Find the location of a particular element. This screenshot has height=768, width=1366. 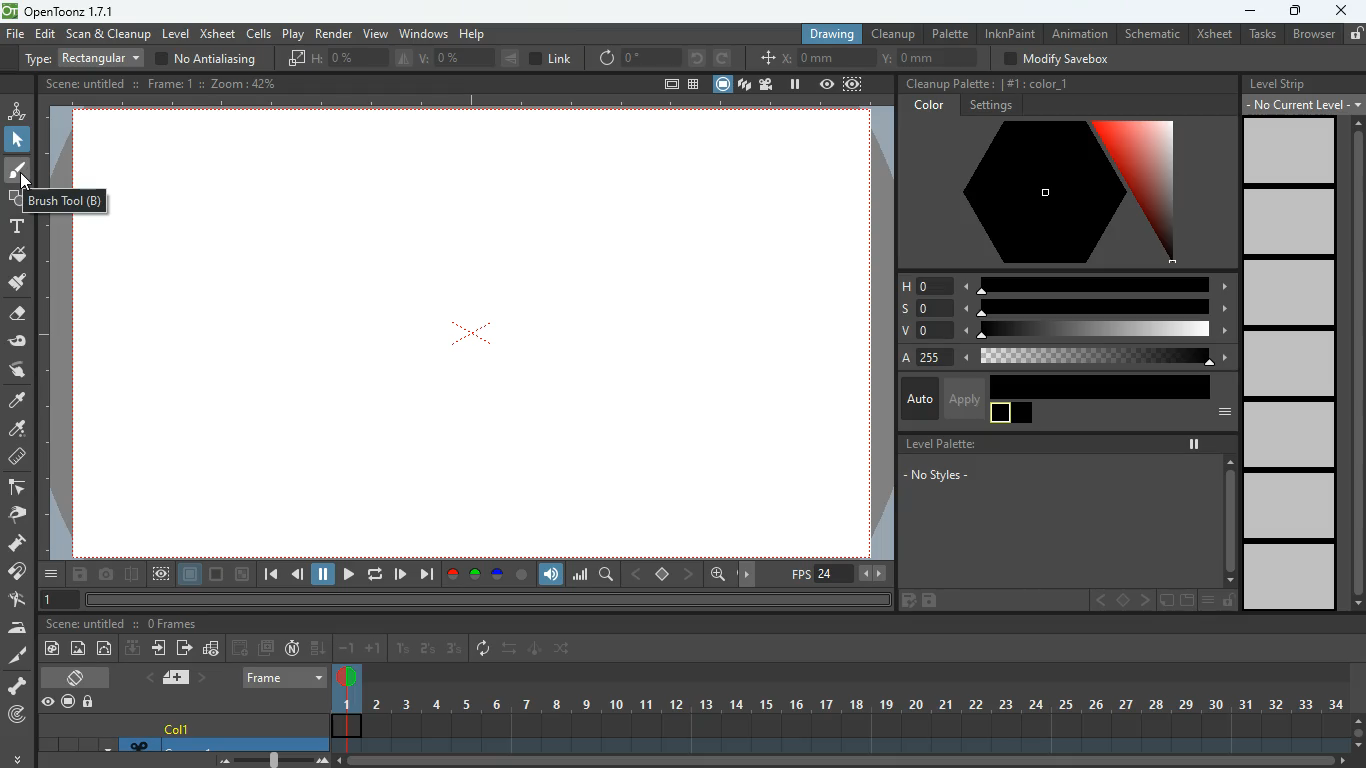

color is located at coordinates (218, 575).